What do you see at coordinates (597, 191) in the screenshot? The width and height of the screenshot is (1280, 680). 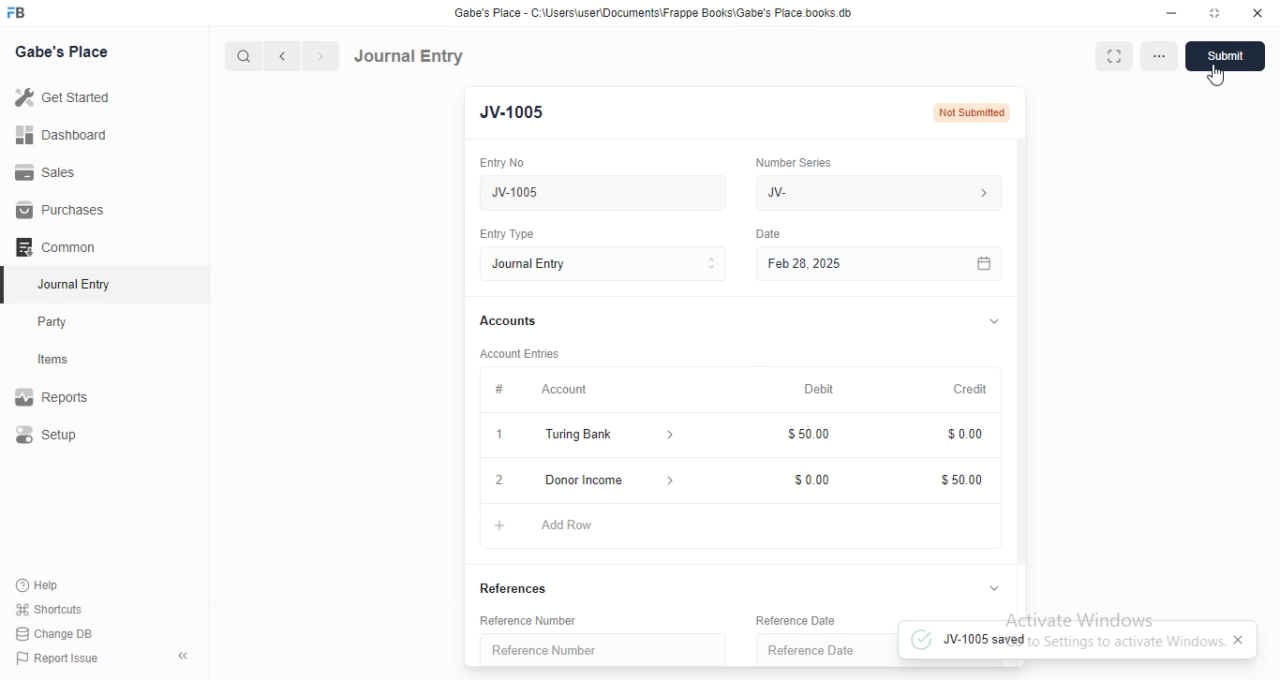 I see `New Journal Entry 06` at bounding box center [597, 191].